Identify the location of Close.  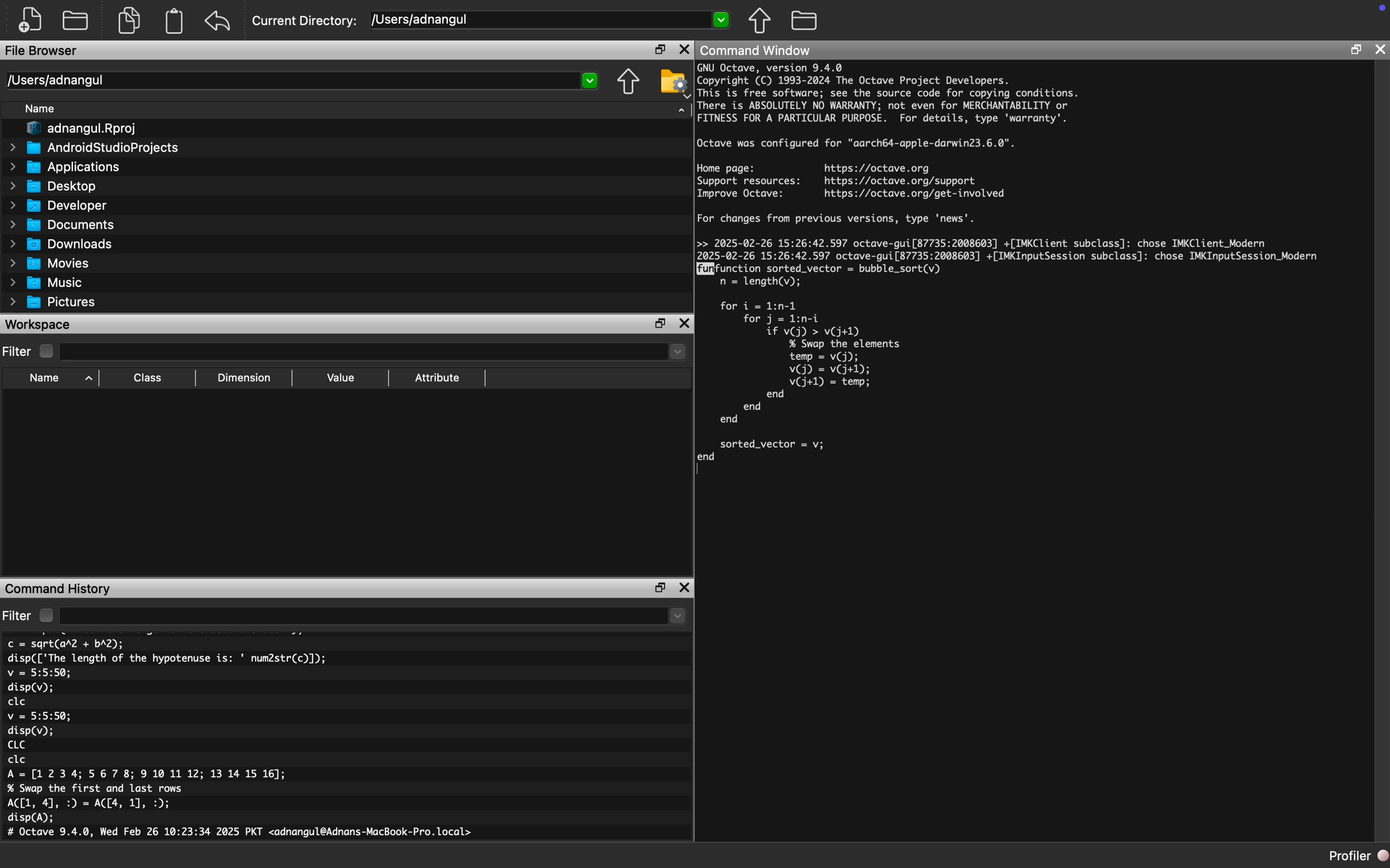
(1381, 49).